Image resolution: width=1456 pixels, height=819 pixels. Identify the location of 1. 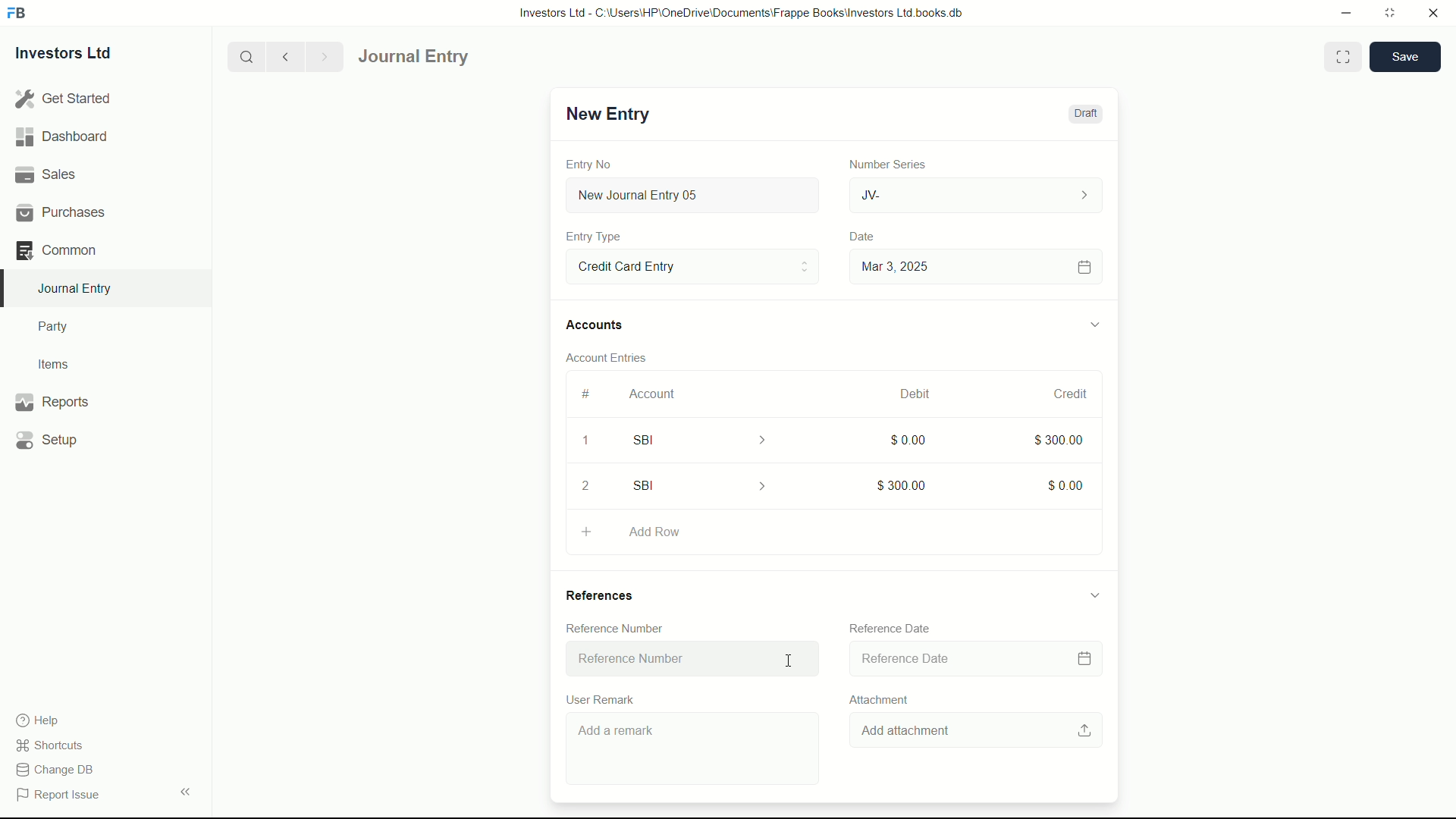
(585, 443).